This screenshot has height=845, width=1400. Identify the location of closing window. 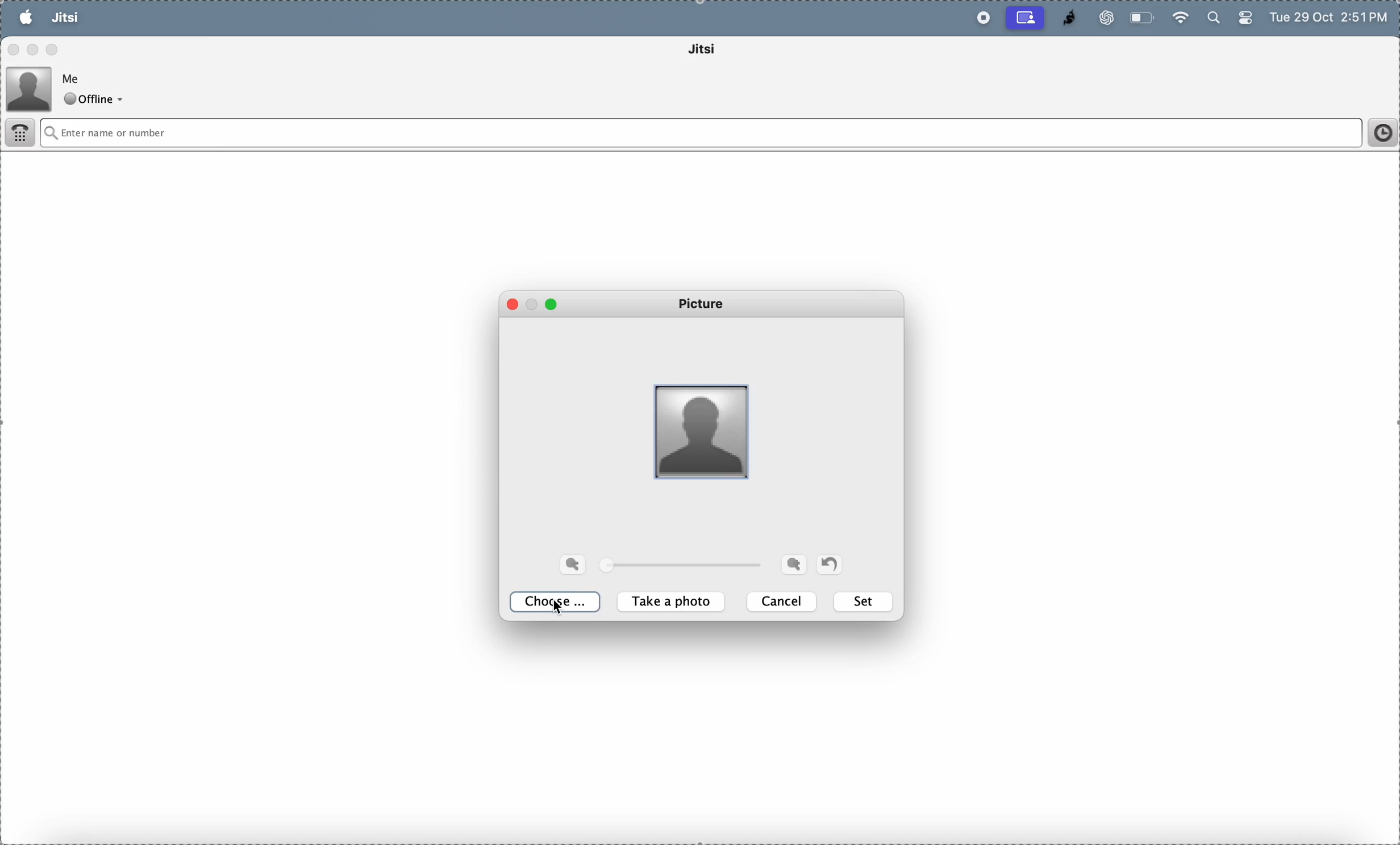
(516, 306).